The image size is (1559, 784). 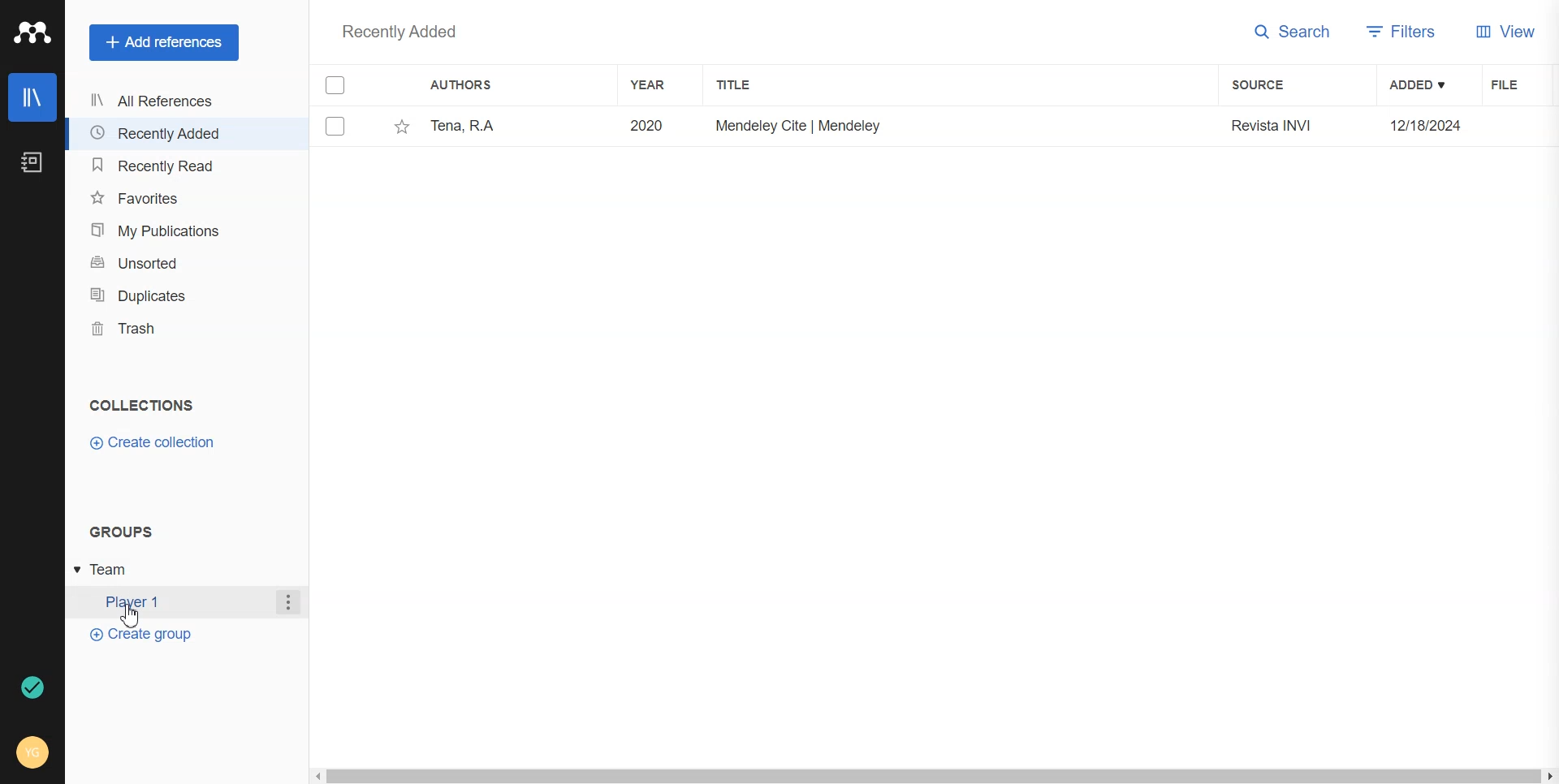 What do you see at coordinates (165, 295) in the screenshot?
I see `Duplicates` at bounding box center [165, 295].